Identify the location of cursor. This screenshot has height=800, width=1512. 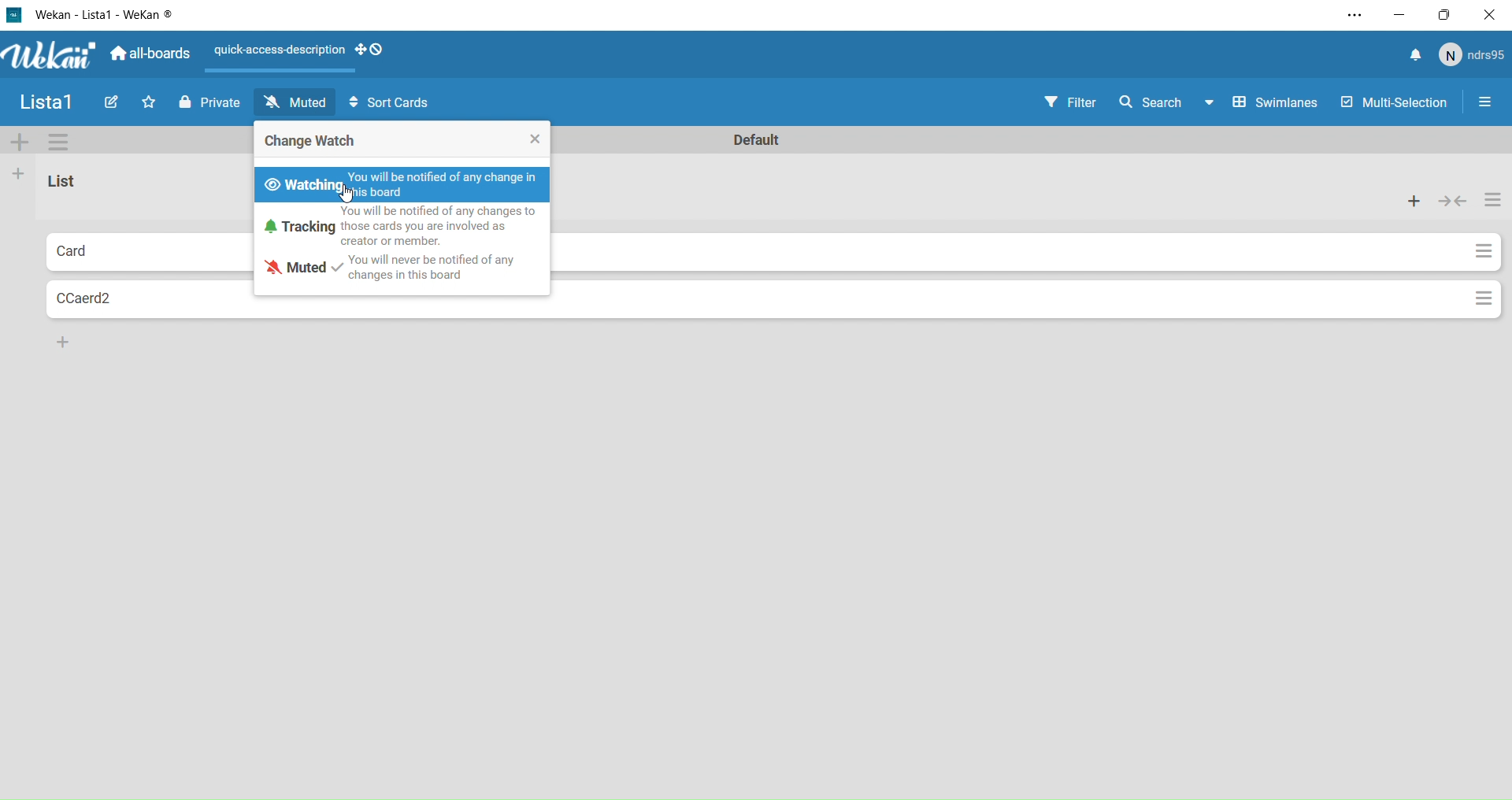
(349, 197).